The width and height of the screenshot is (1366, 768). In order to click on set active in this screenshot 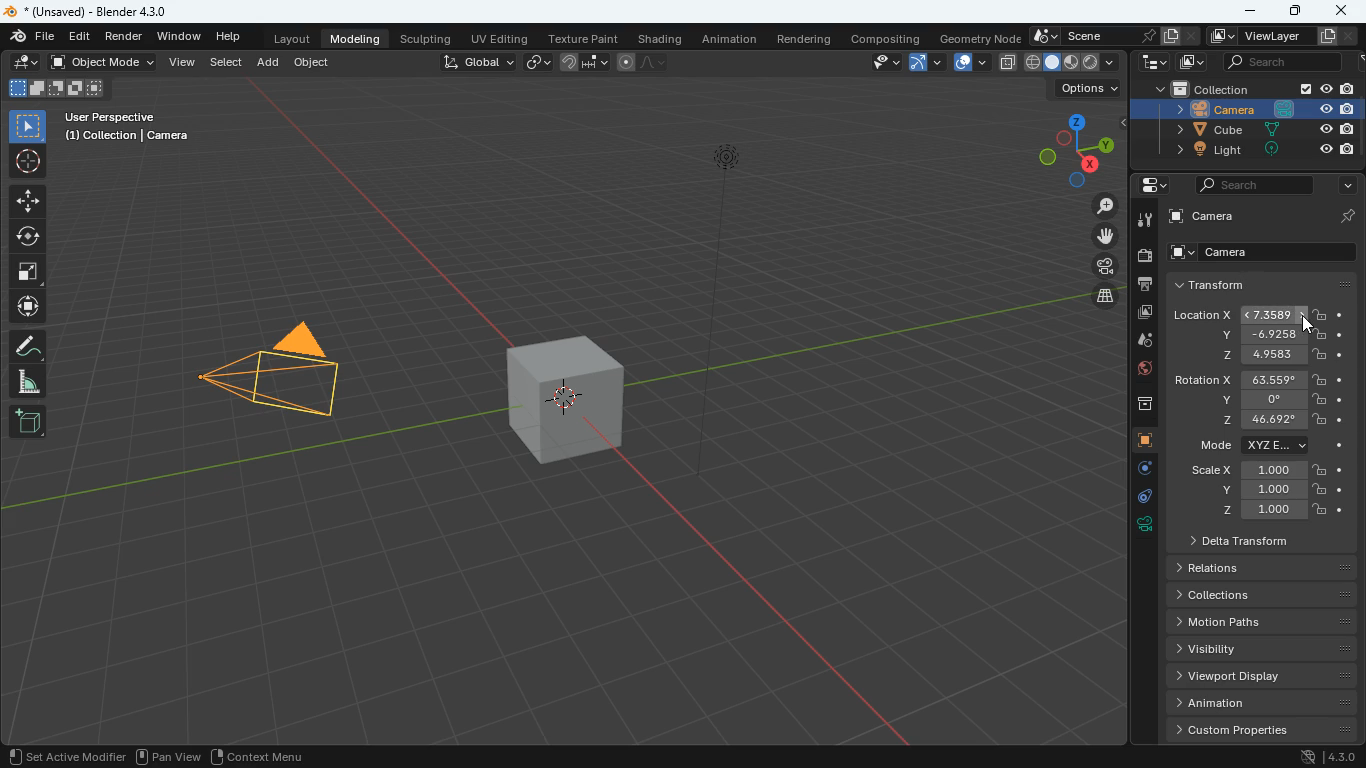, I will do `click(67, 756)`.